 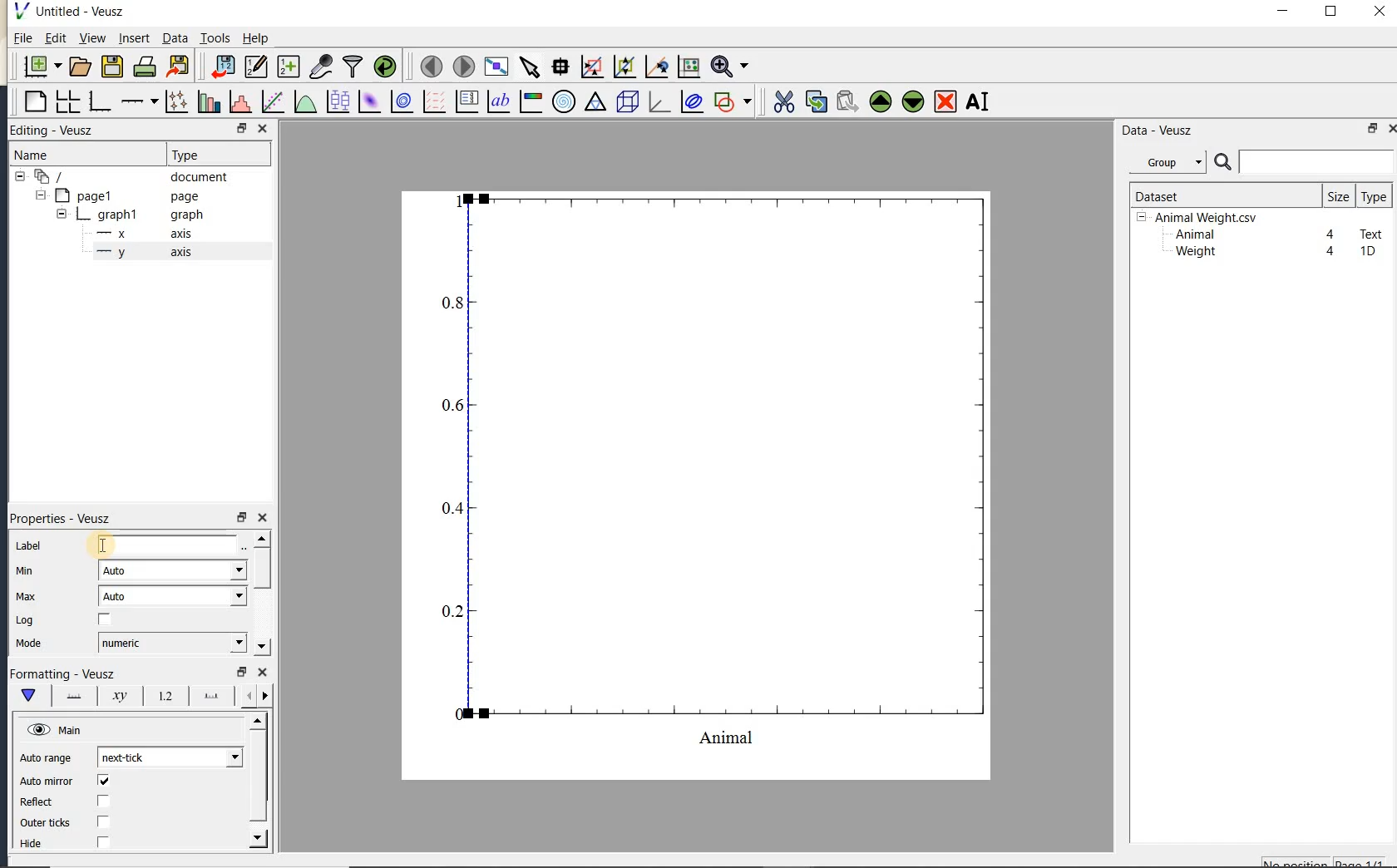 What do you see at coordinates (173, 596) in the screenshot?
I see `Auto` at bounding box center [173, 596].